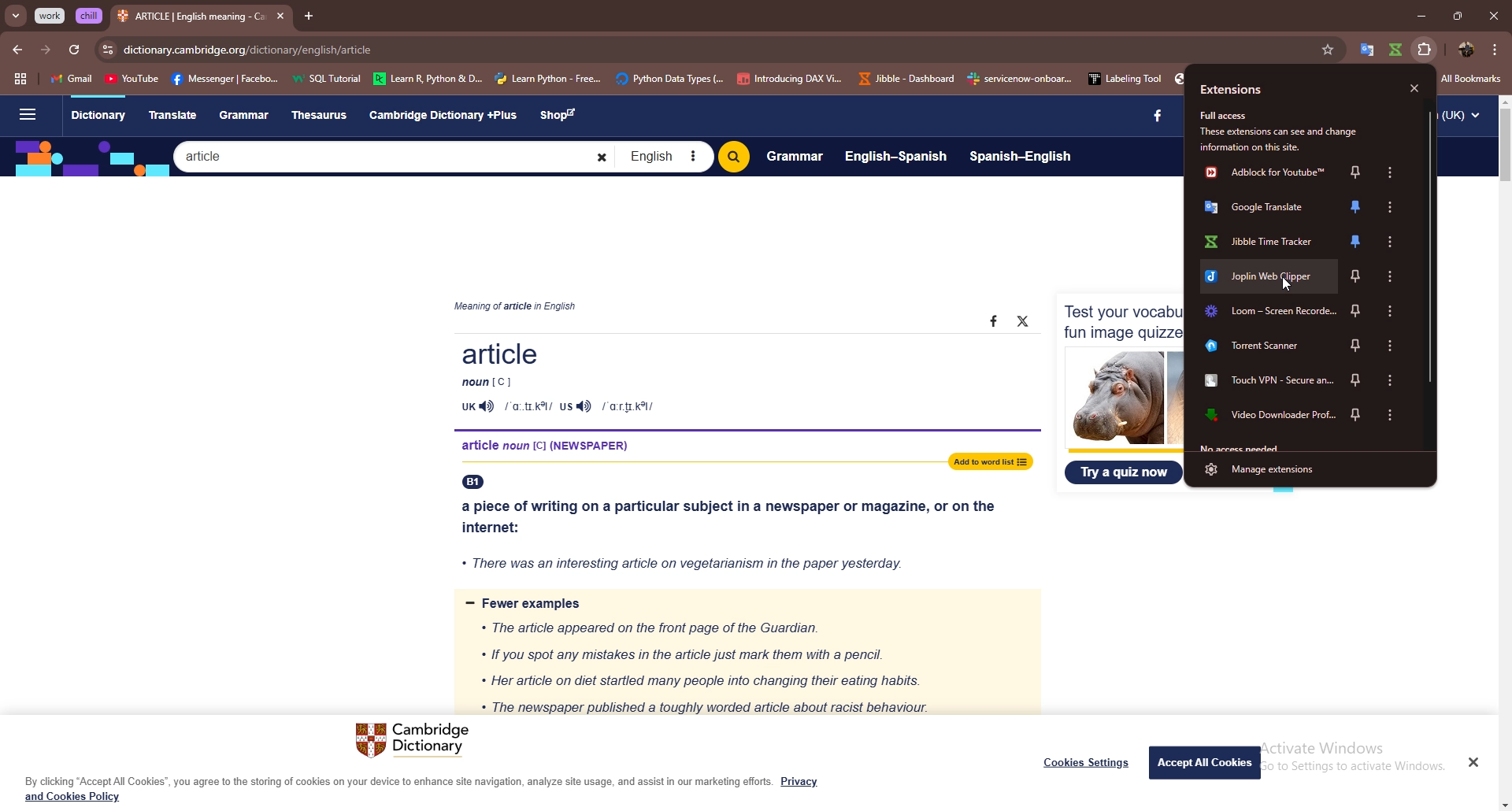  Describe the element at coordinates (1266, 208) in the screenshot. I see `extension` at that location.